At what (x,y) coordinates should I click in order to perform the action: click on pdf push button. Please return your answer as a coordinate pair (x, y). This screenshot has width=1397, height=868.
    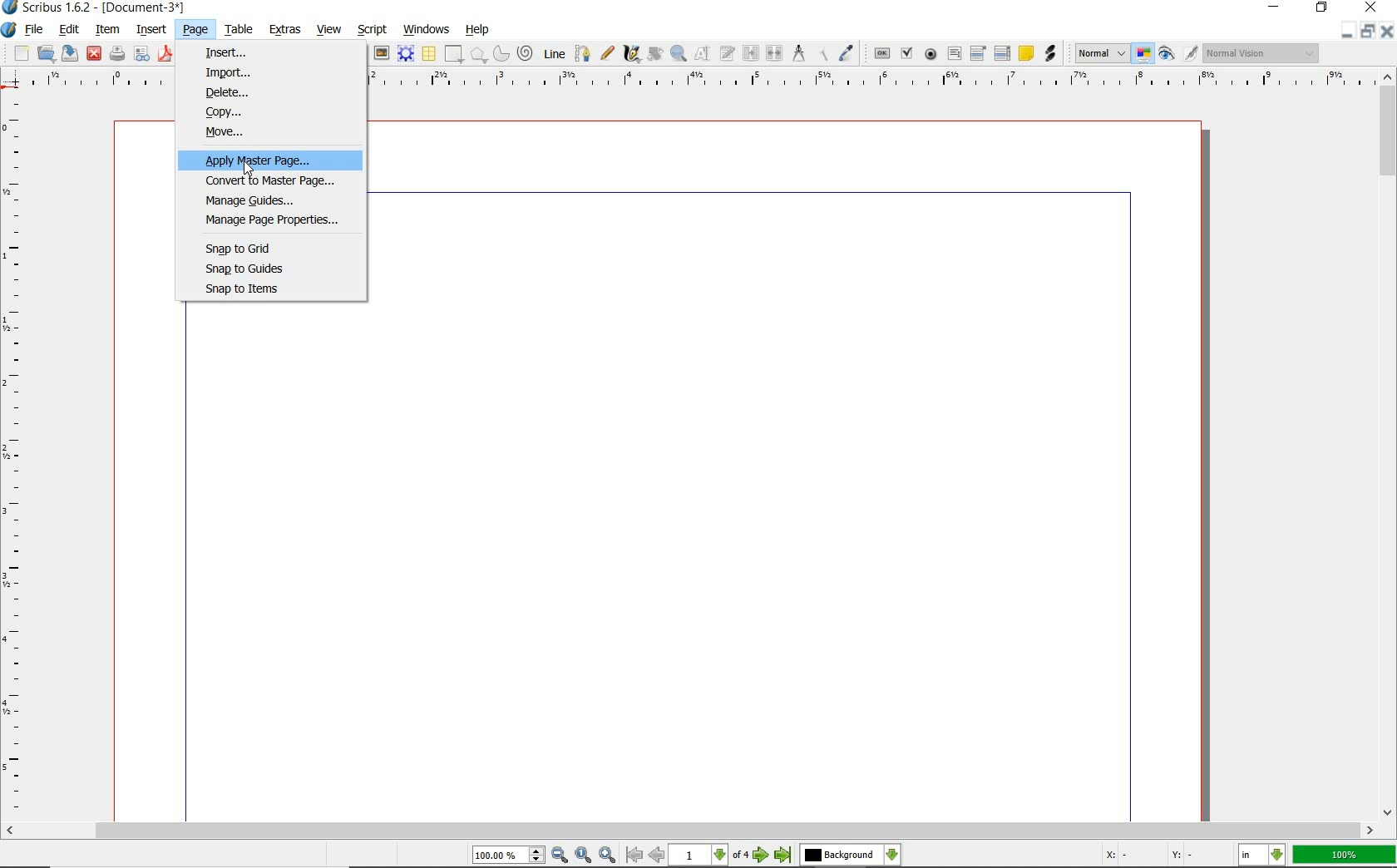
    Looking at the image, I should click on (881, 53).